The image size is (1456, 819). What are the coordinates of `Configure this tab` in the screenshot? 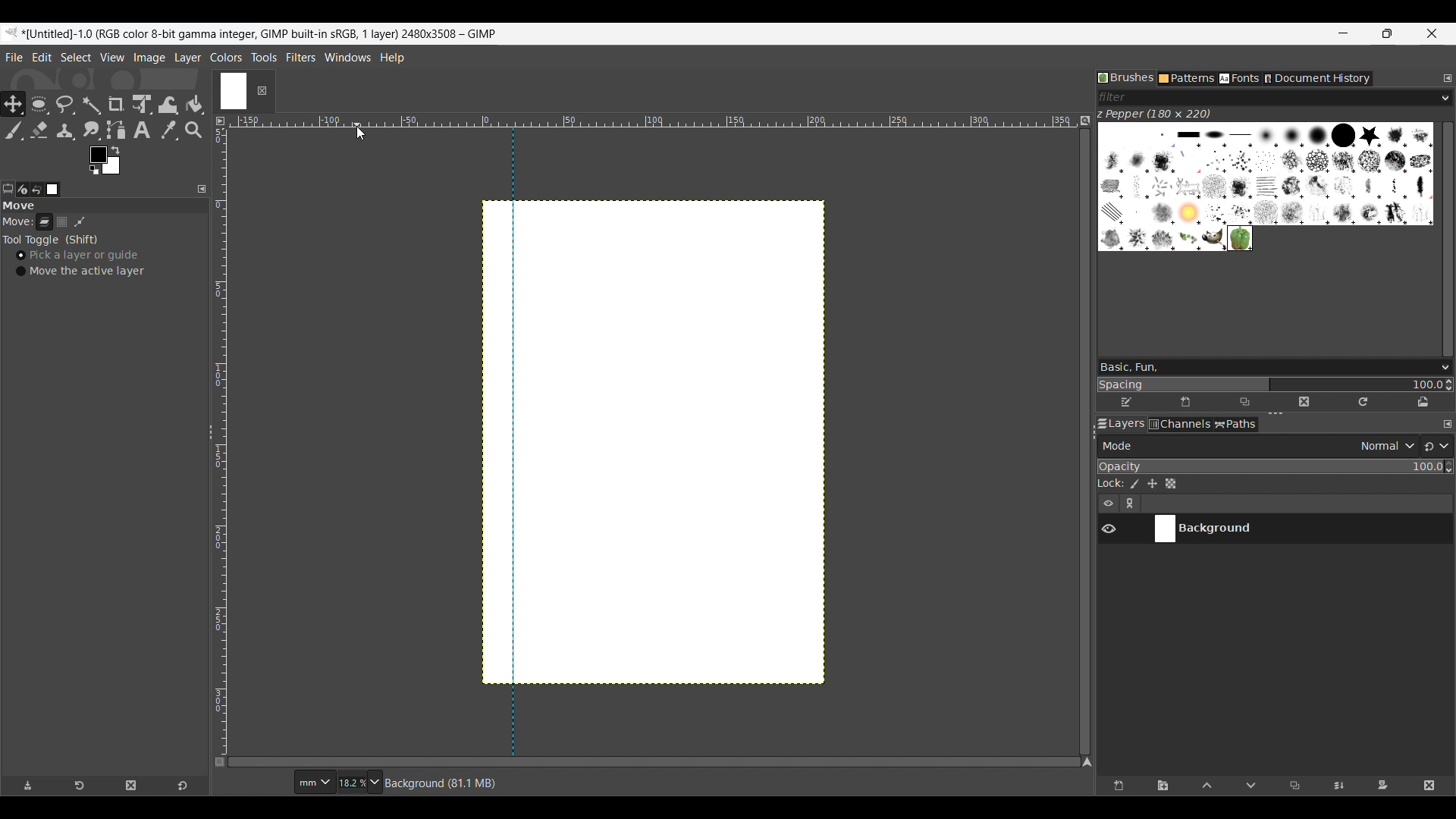 It's located at (1447, 424).